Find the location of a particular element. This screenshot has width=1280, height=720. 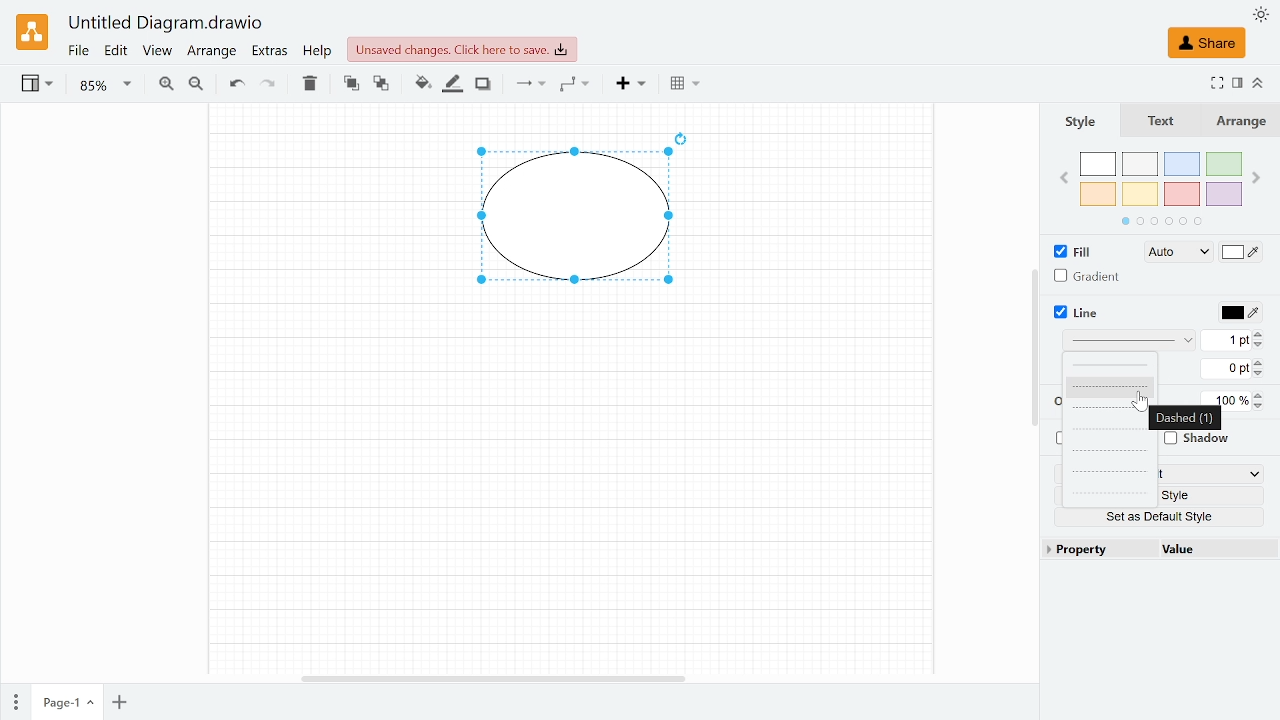

Value is located at coordinates (1207, 550).